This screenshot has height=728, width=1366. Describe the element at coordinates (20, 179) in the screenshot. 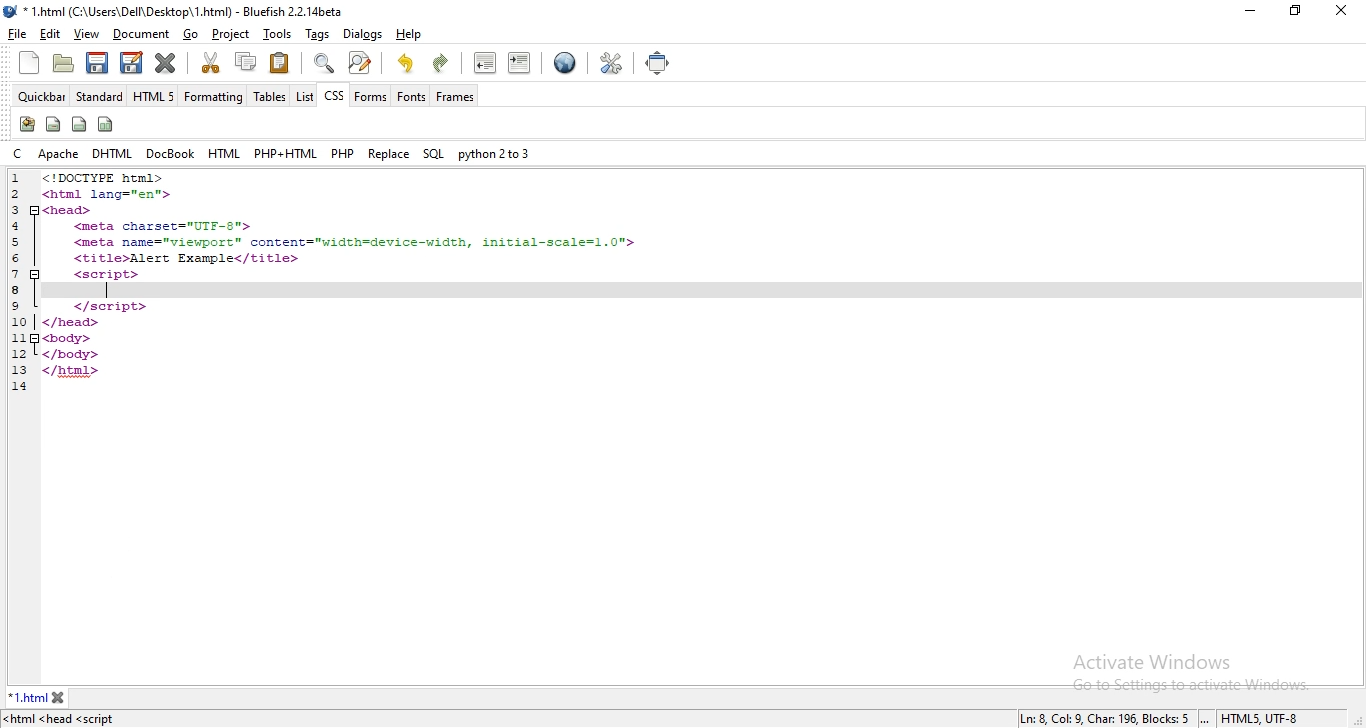

I see `1` at that location.